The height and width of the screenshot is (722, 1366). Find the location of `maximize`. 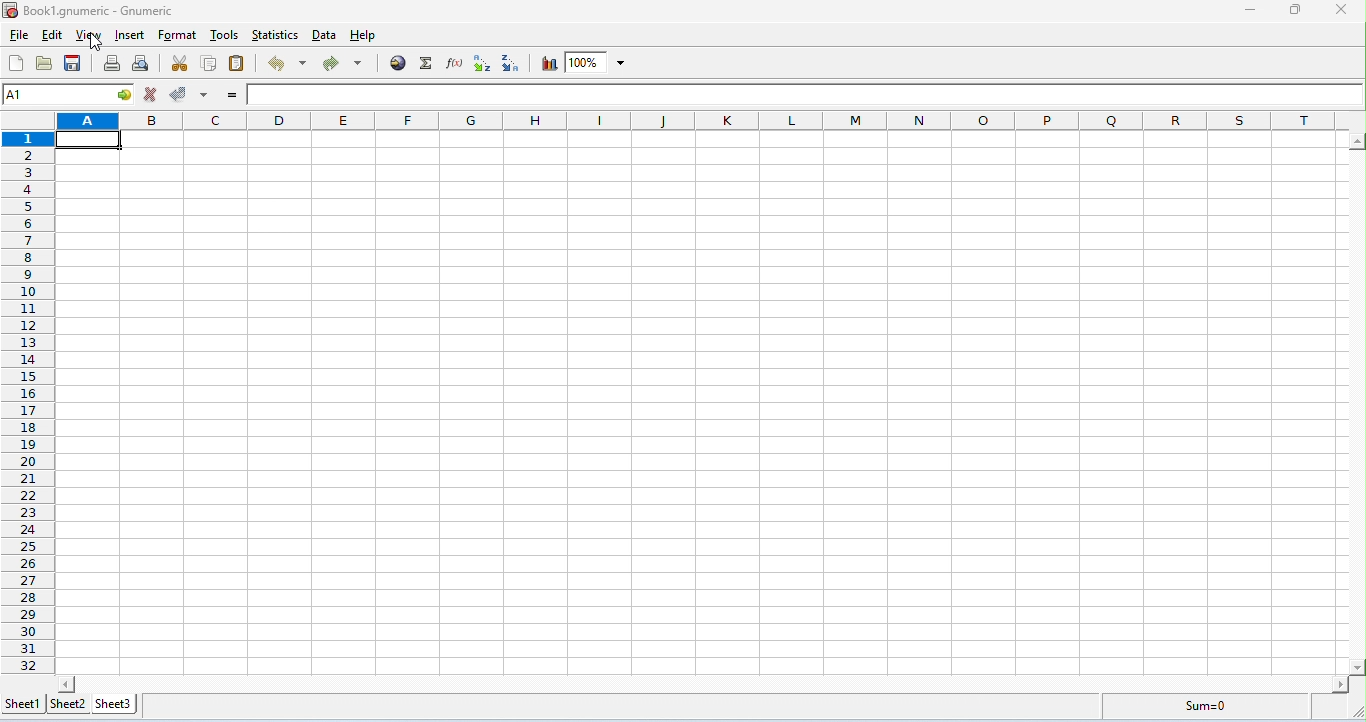

maximize is located at coordinates (1293, 10).